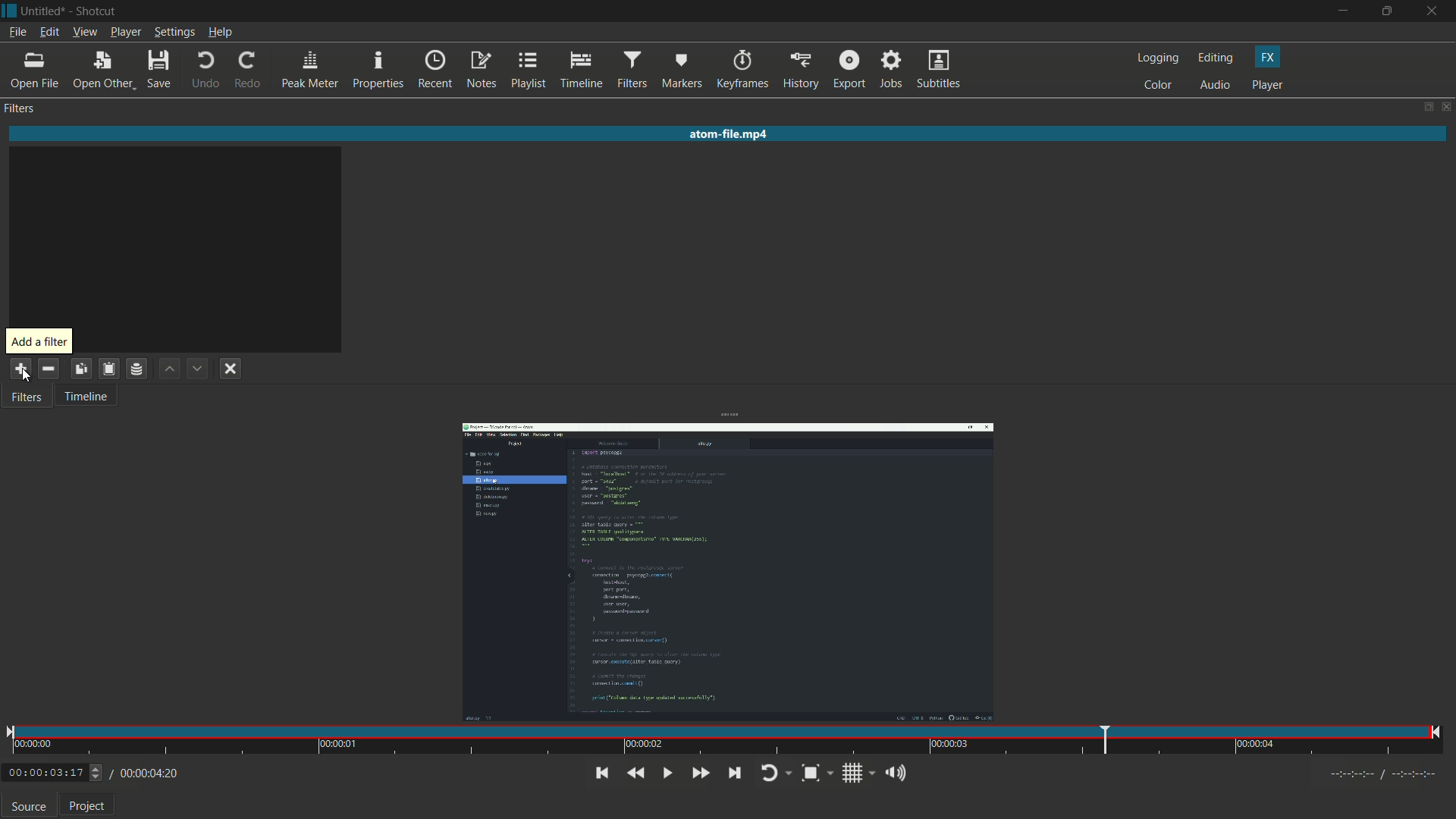 Image resolution: width=1456 pixels, height=819 pixels. What do you see at coordinates (1268, 86) in the screenshot?
I see `player` at bounding box center [1268, 86].